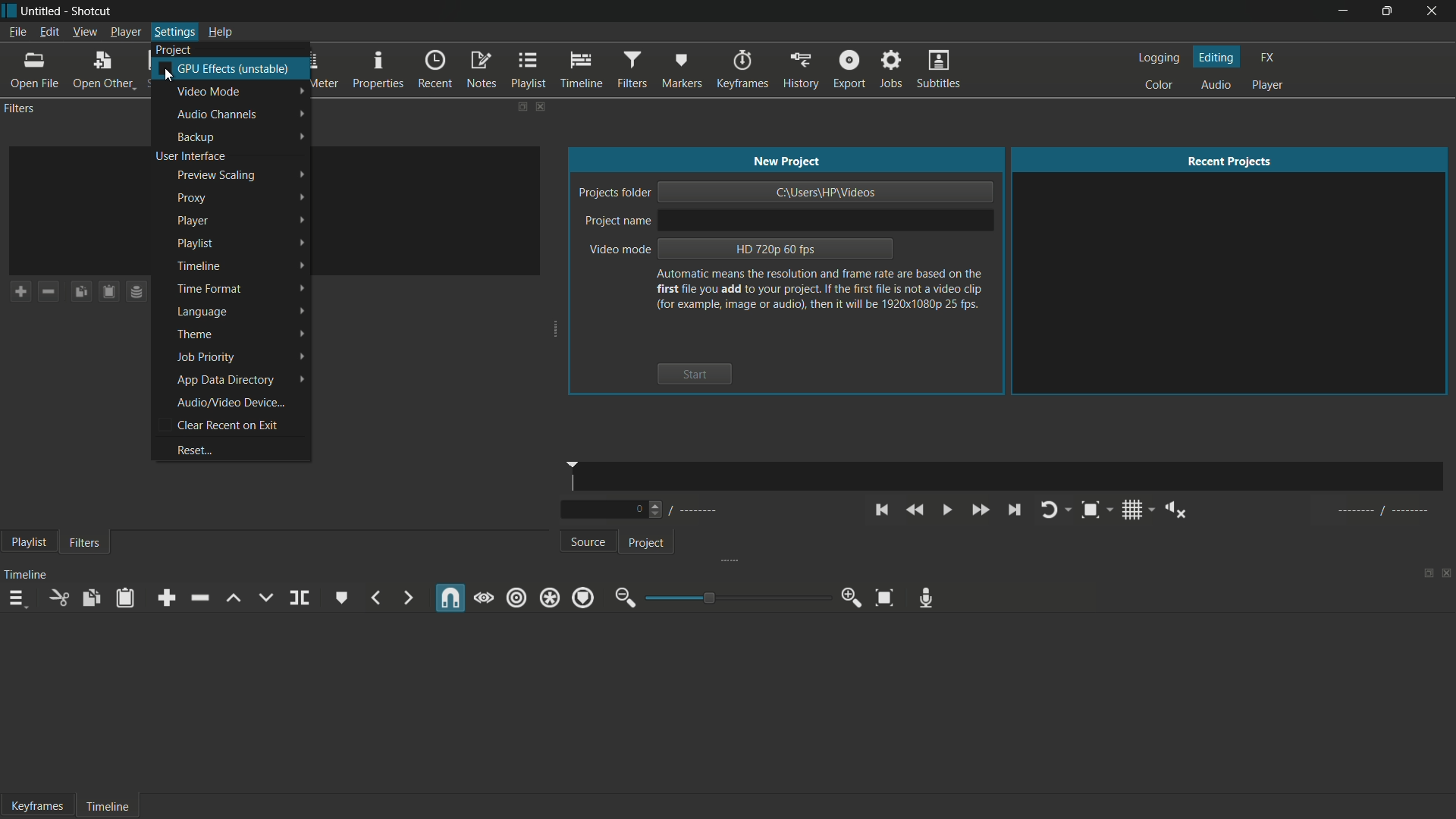 The image size is (1456, 819). Describe the element at coordinates (197, 598) in the screenshot. I see `ripple delete` at that location.